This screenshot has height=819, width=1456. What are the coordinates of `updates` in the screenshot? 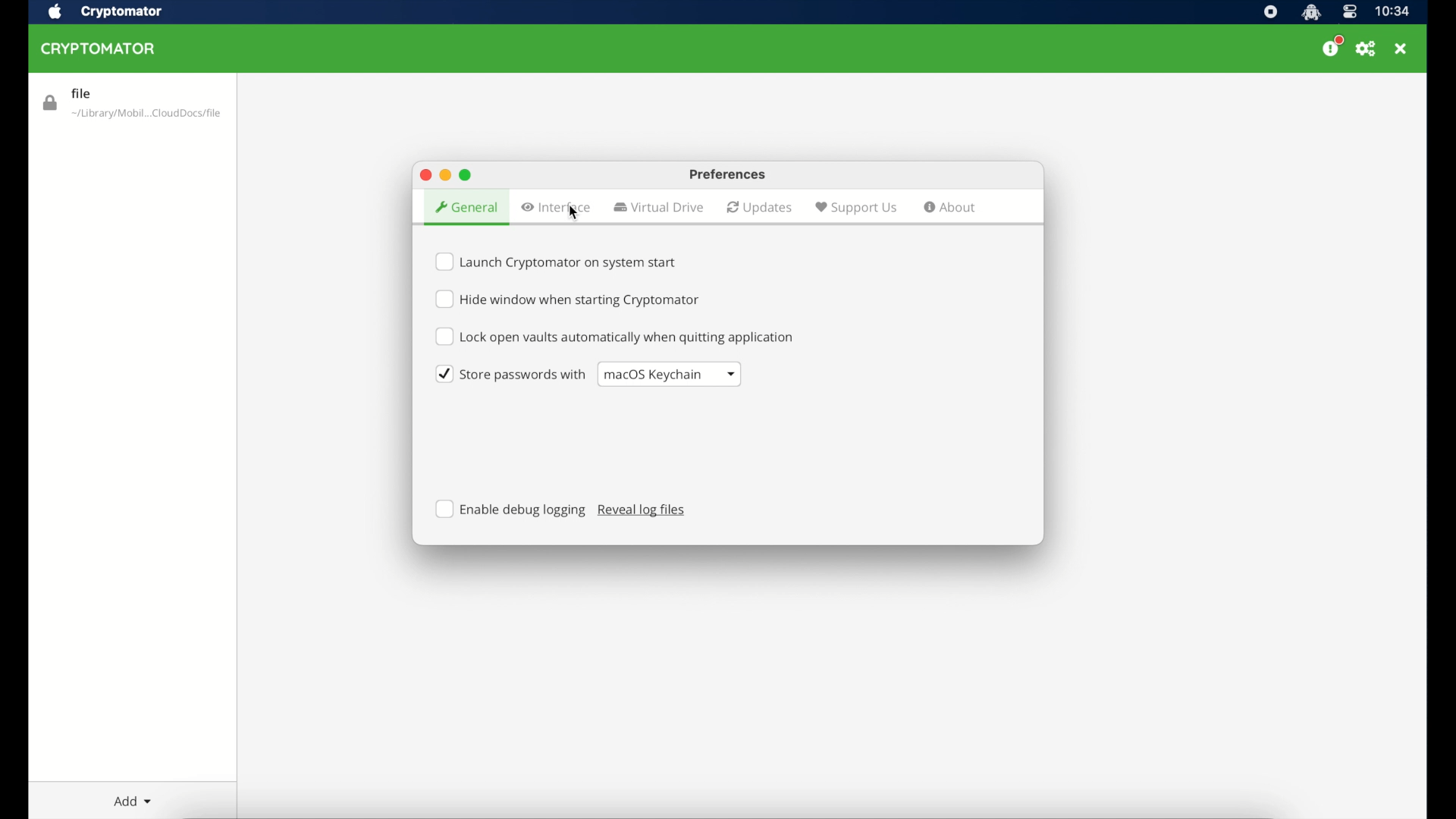 It's located at (760, 208).